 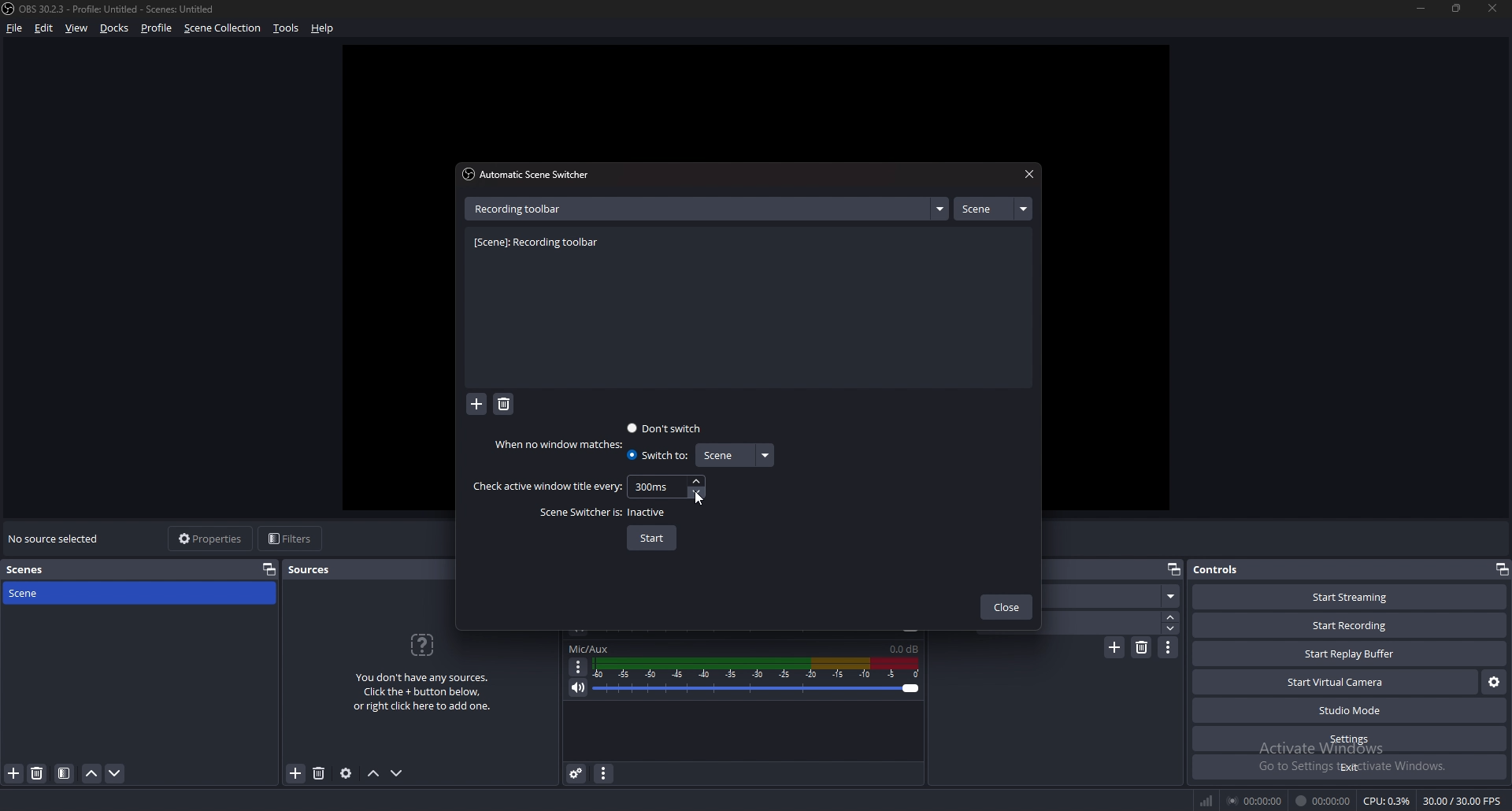 What do you see at coordinates (113, 9) in the screenshot?
I see `title` at bounding box center [113, 9].